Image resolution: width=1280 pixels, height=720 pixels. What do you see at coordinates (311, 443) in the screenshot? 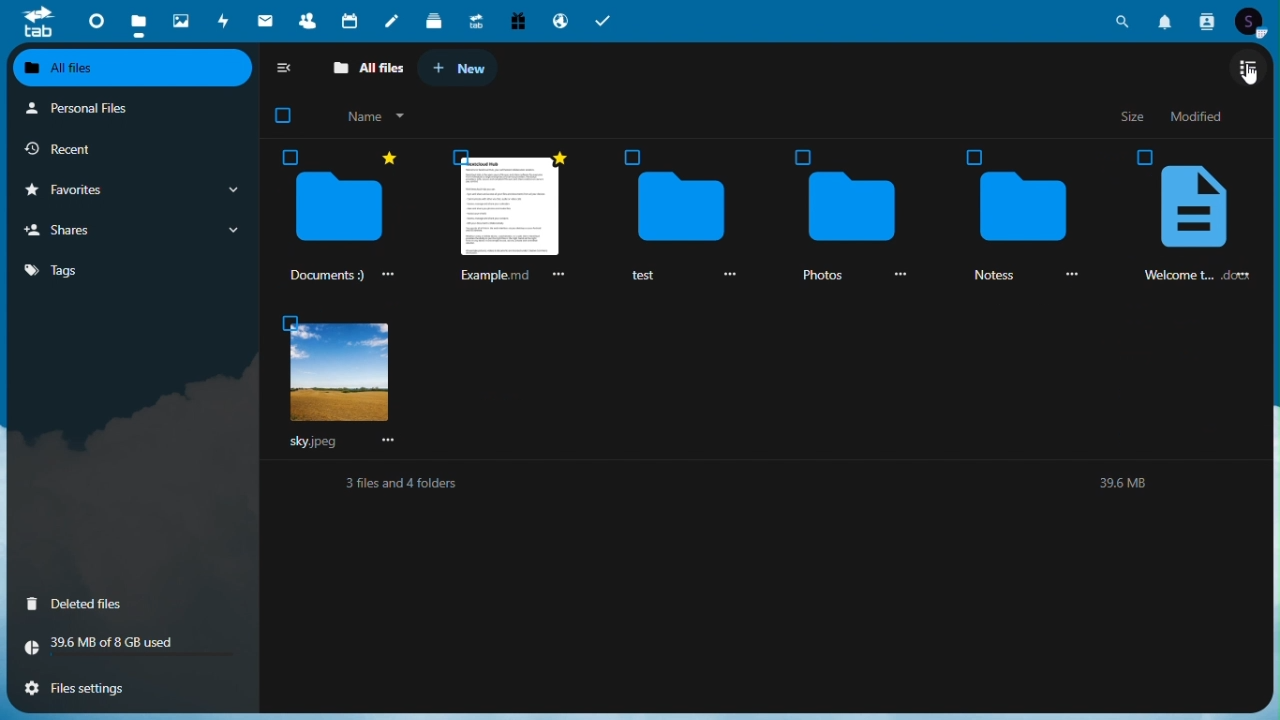
I see `sky` at bounding box center [311, 443].